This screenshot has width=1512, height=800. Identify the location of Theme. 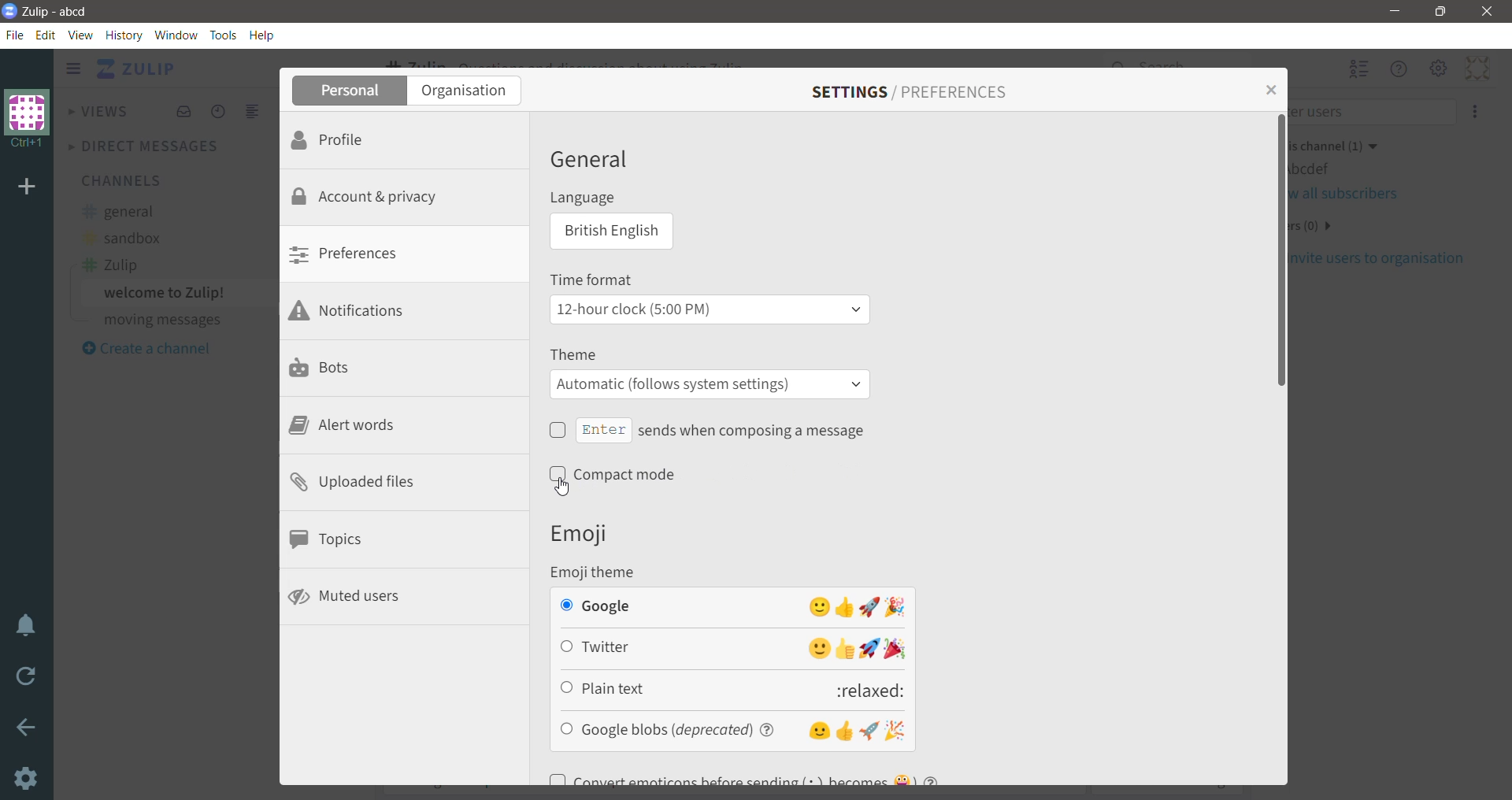
(579, 354).